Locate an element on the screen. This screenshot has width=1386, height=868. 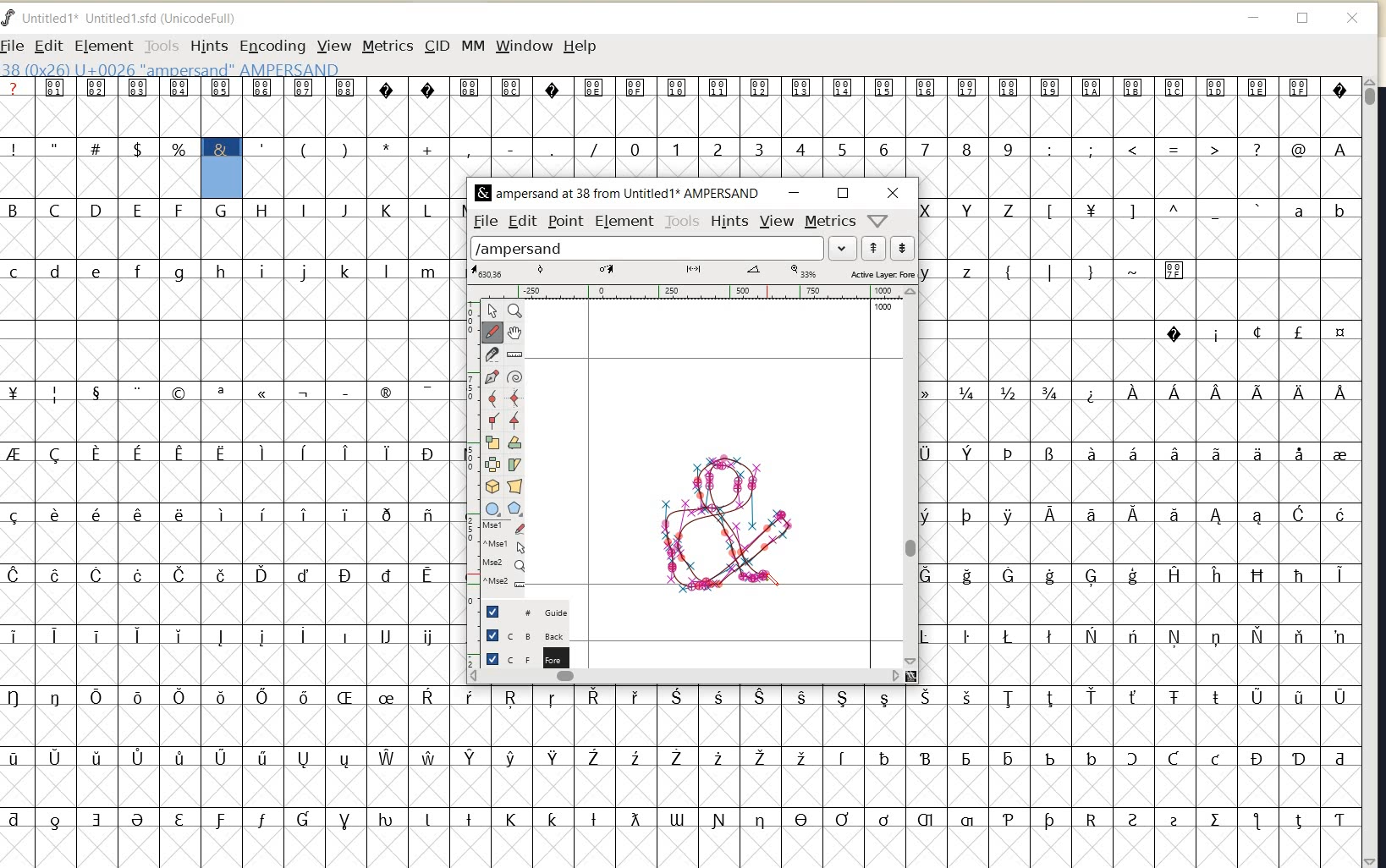
change whether spiro is active or not is located at coordinates (514, 376).